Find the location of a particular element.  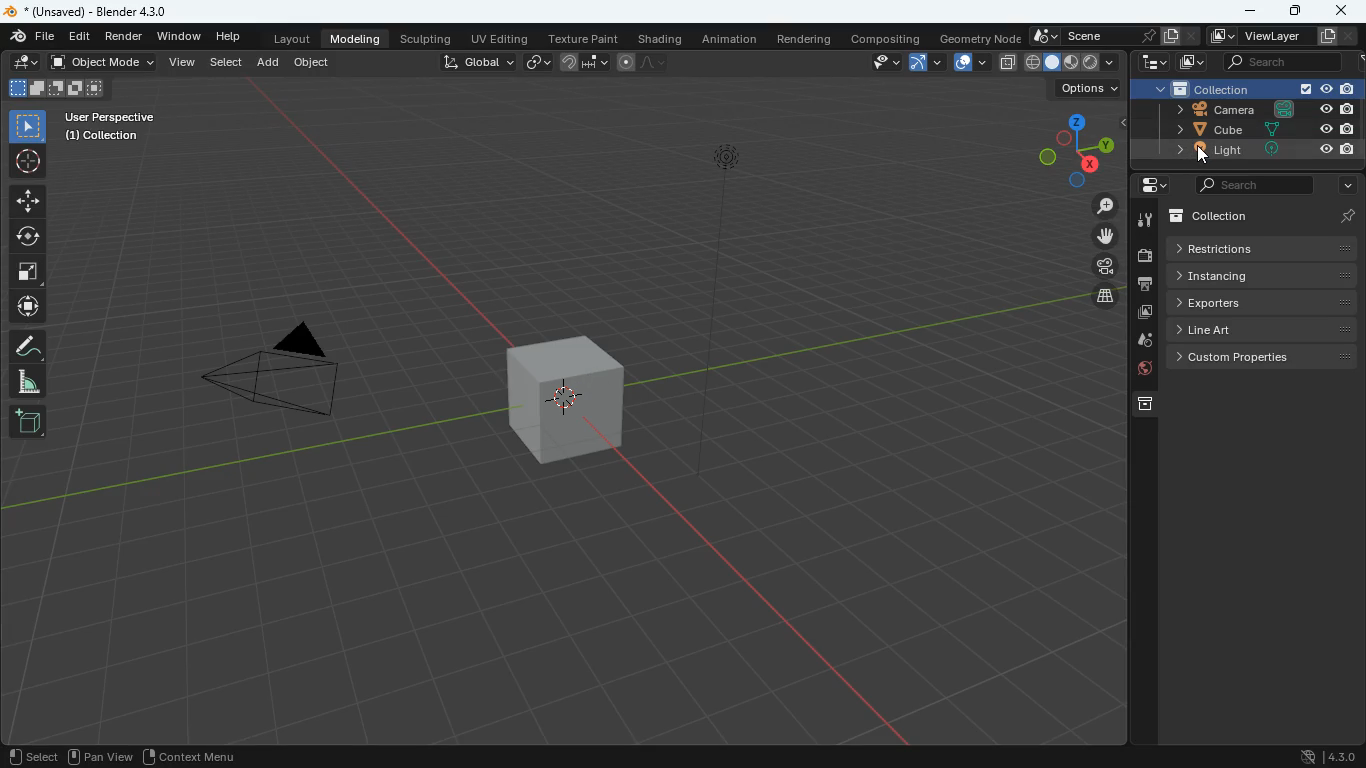

geometry node is located at coordinates (981, 38).